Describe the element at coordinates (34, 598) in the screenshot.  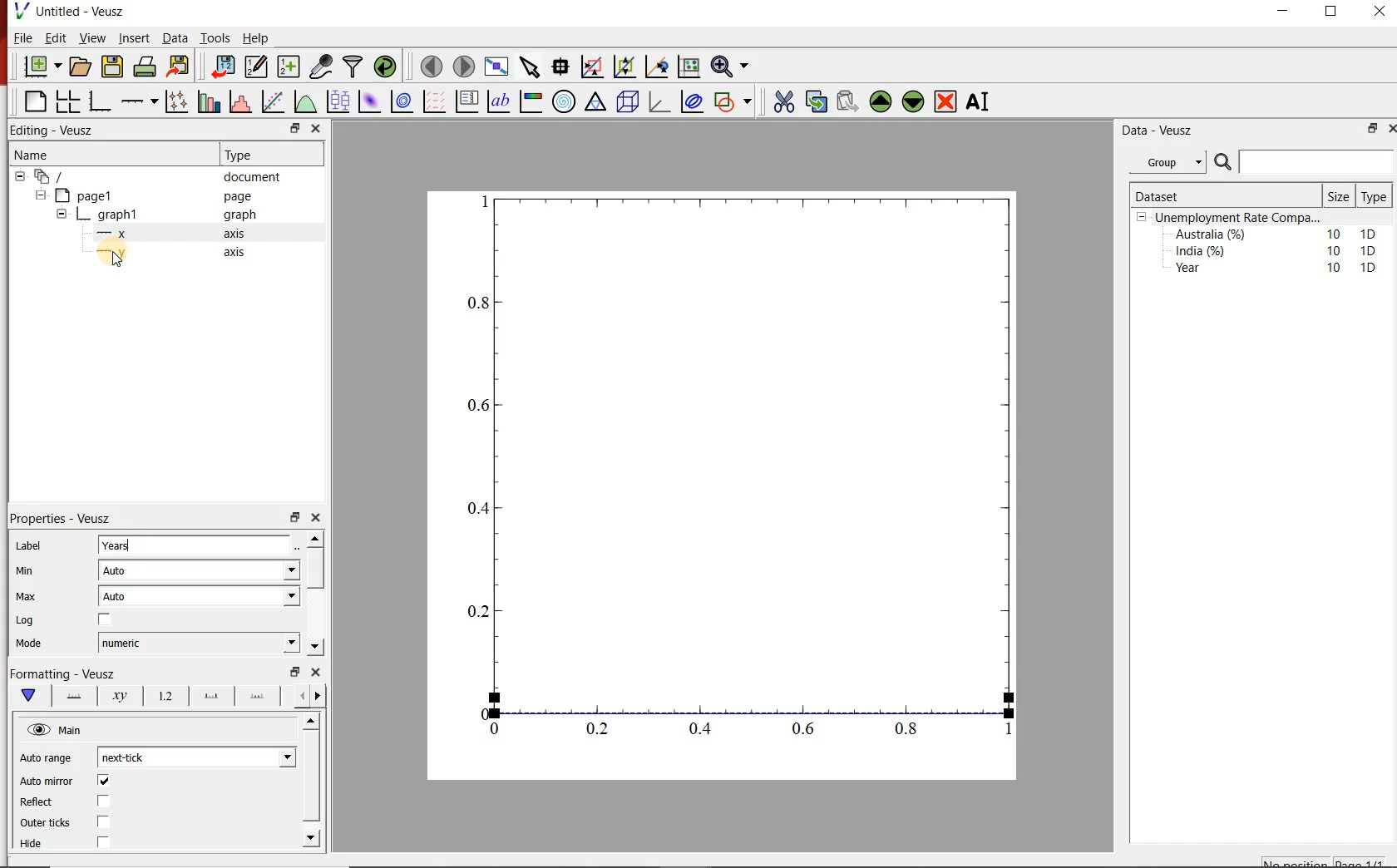
I see `Max` at that location.